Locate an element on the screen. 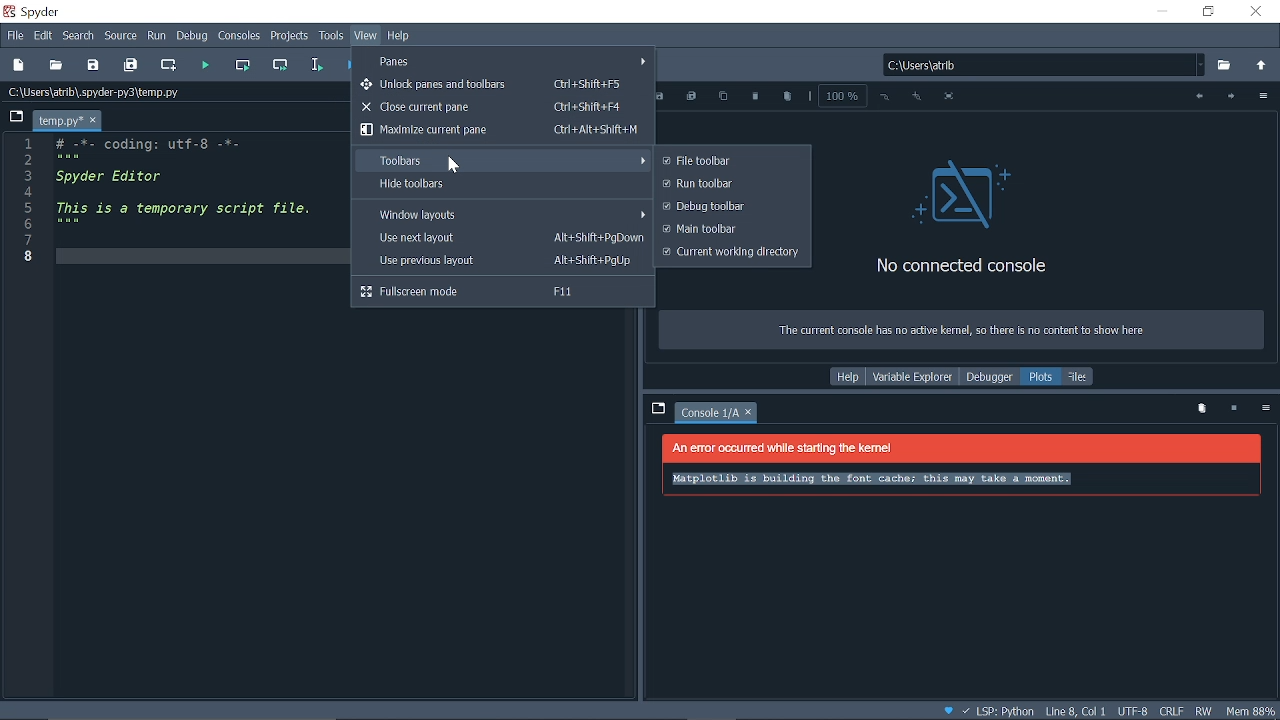 This screenshot has width=1280, height=720. Copy plot to clipboard is located at coordinates (723, 98).